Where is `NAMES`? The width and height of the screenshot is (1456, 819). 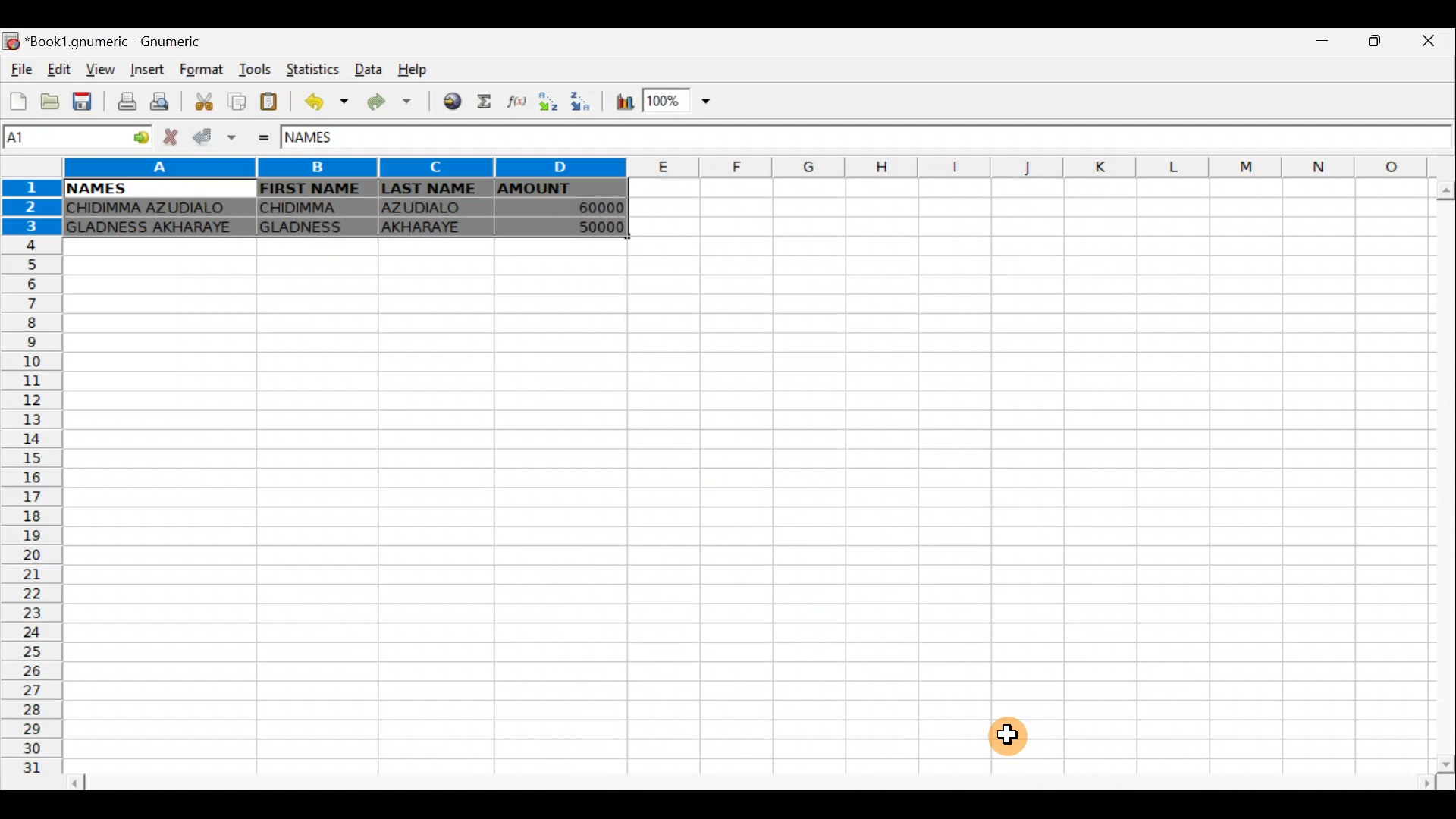
NAMES is located at coordinates (324, 141).